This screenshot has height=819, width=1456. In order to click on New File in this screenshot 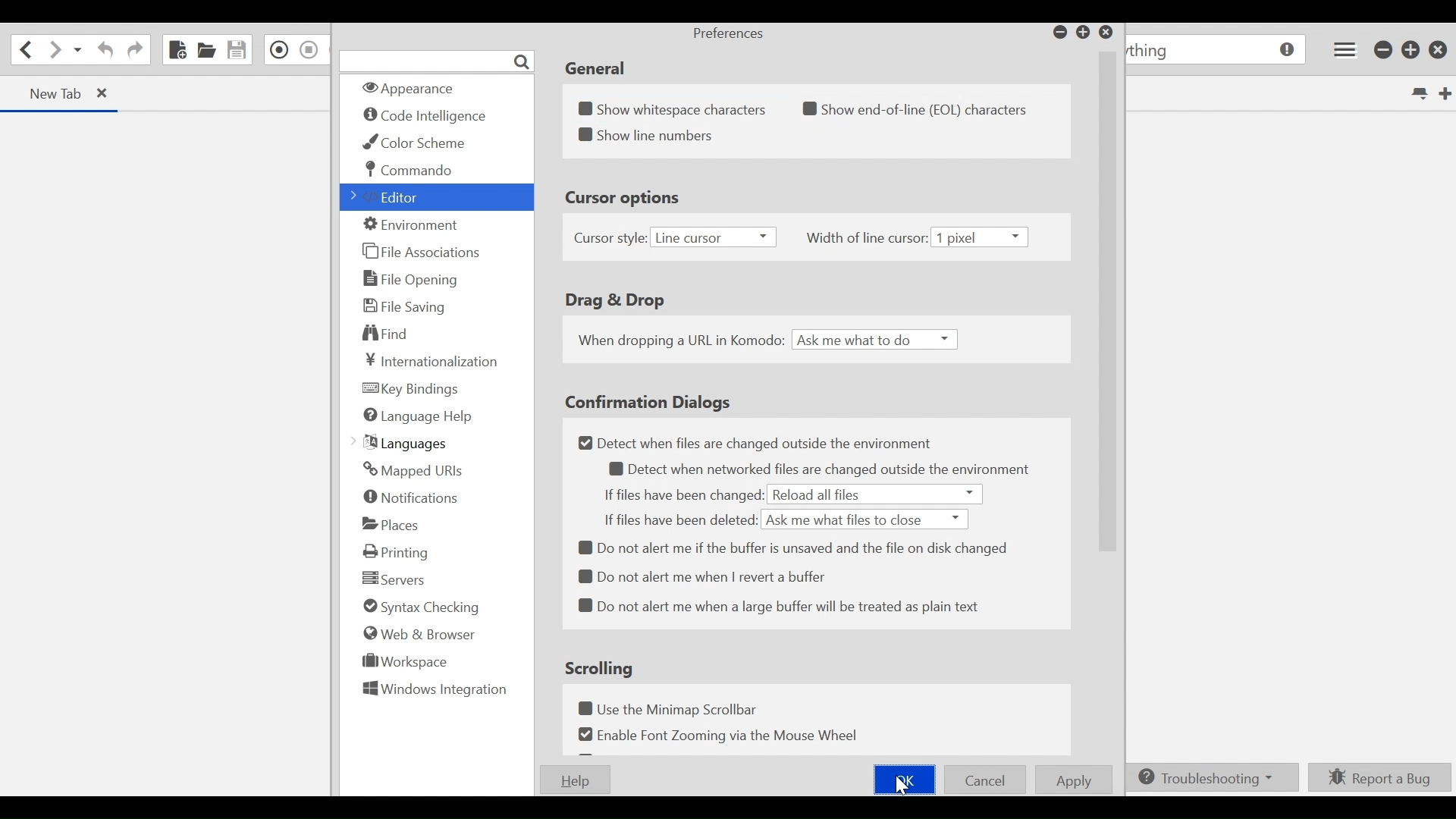, I will do `click(177, 49)`.